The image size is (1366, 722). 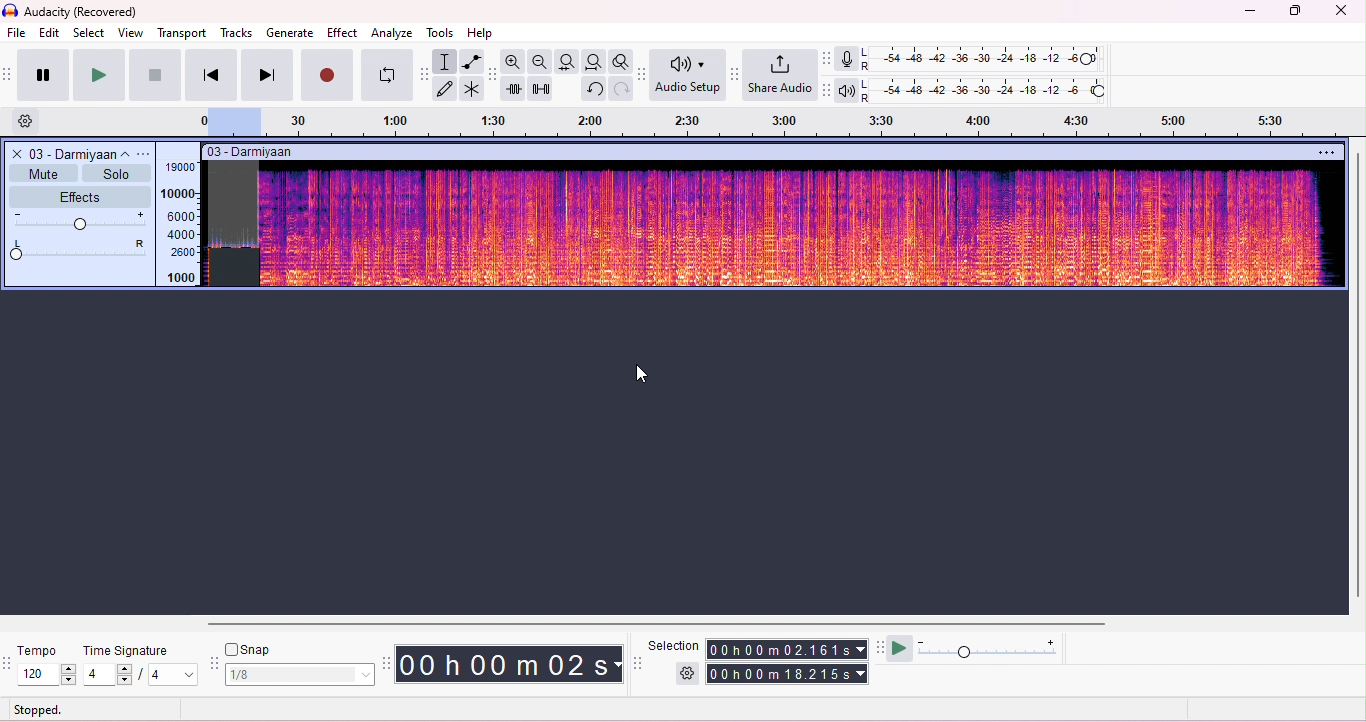 What do you see at coordinates (254, 648) in the screenshot?
I see `snap` at bounding box center [254, 648].